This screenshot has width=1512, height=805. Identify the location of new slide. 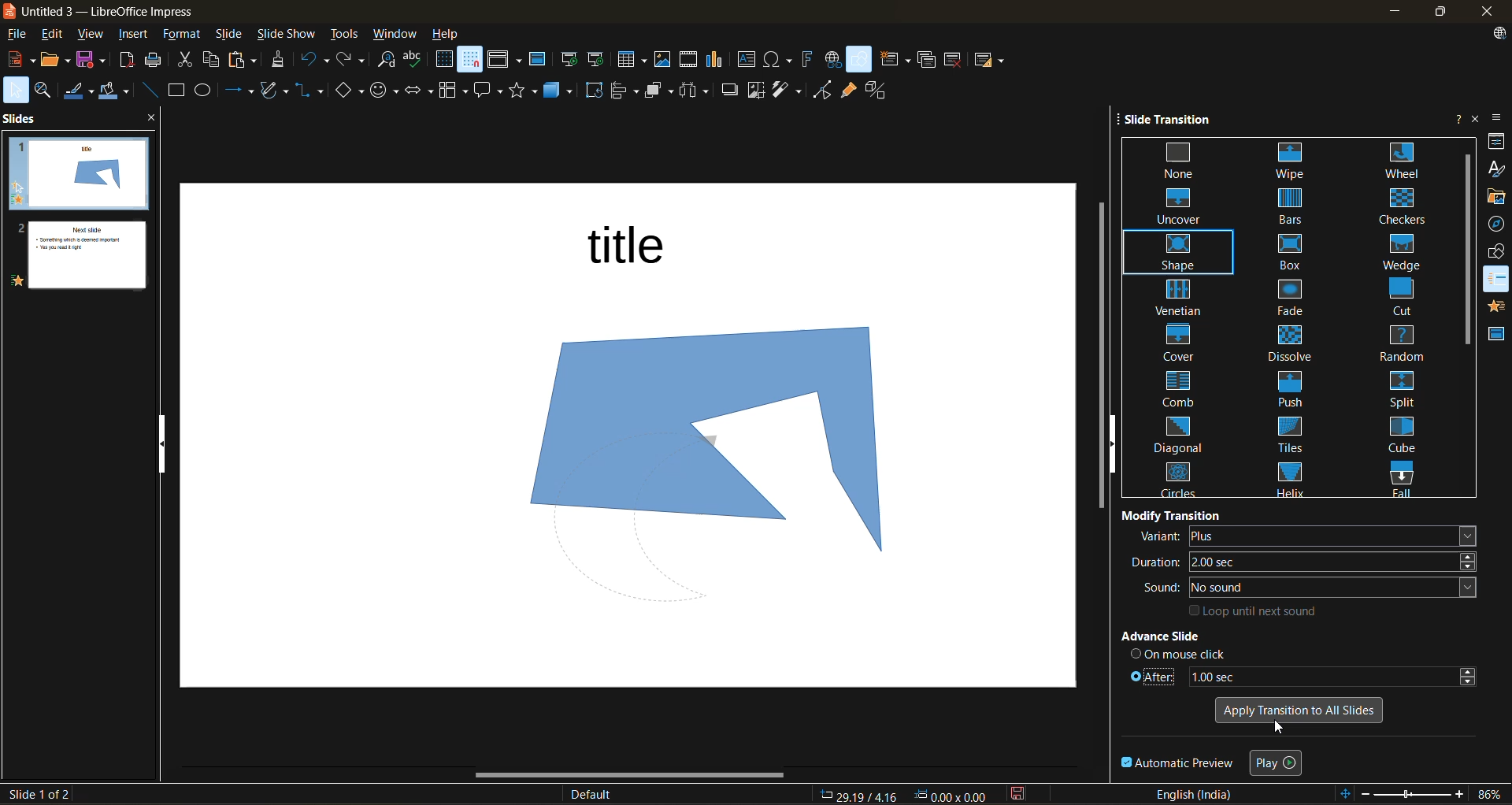
(898, 60).